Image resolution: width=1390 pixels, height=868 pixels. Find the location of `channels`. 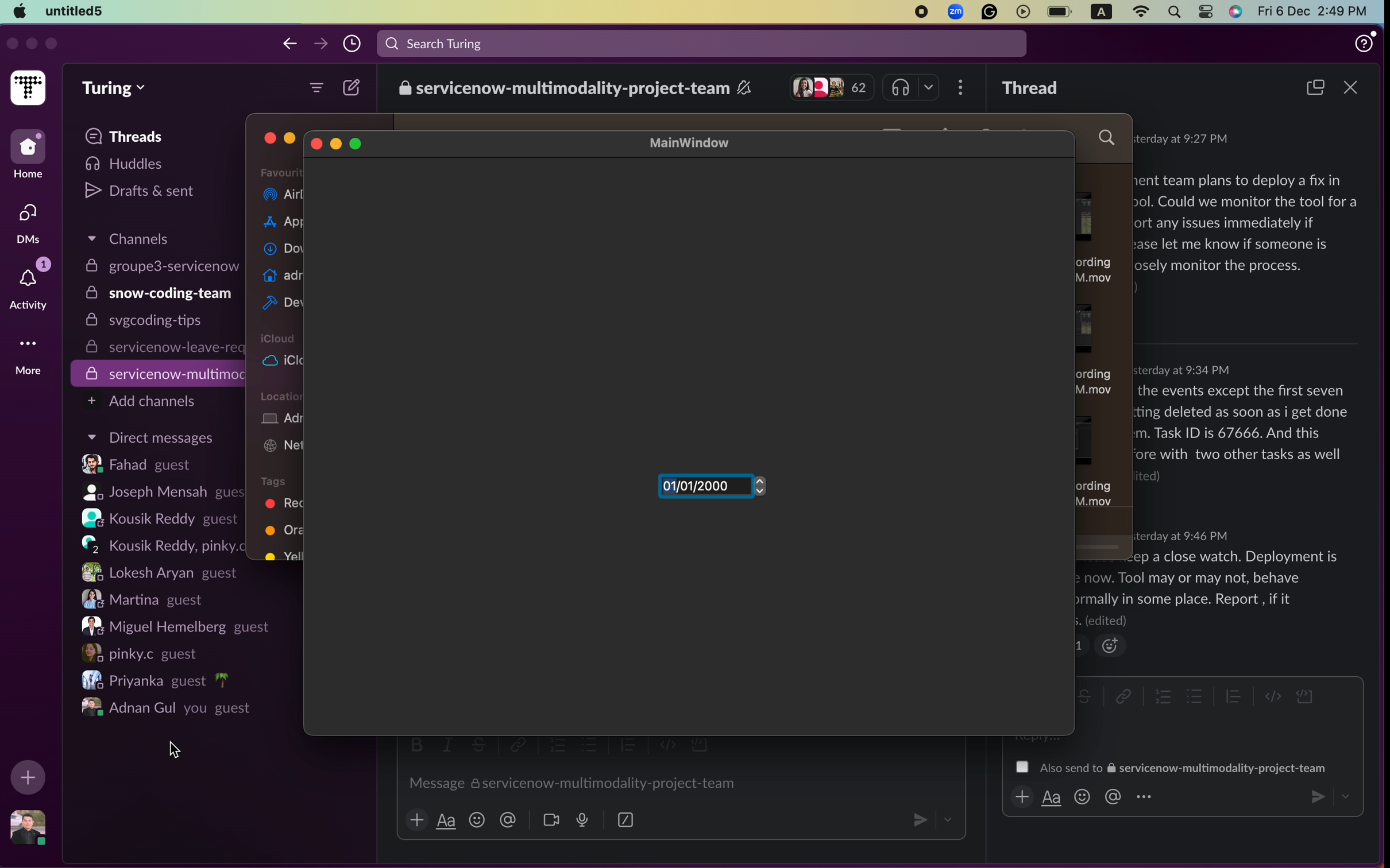

channels is located at coordinates (126, 242).